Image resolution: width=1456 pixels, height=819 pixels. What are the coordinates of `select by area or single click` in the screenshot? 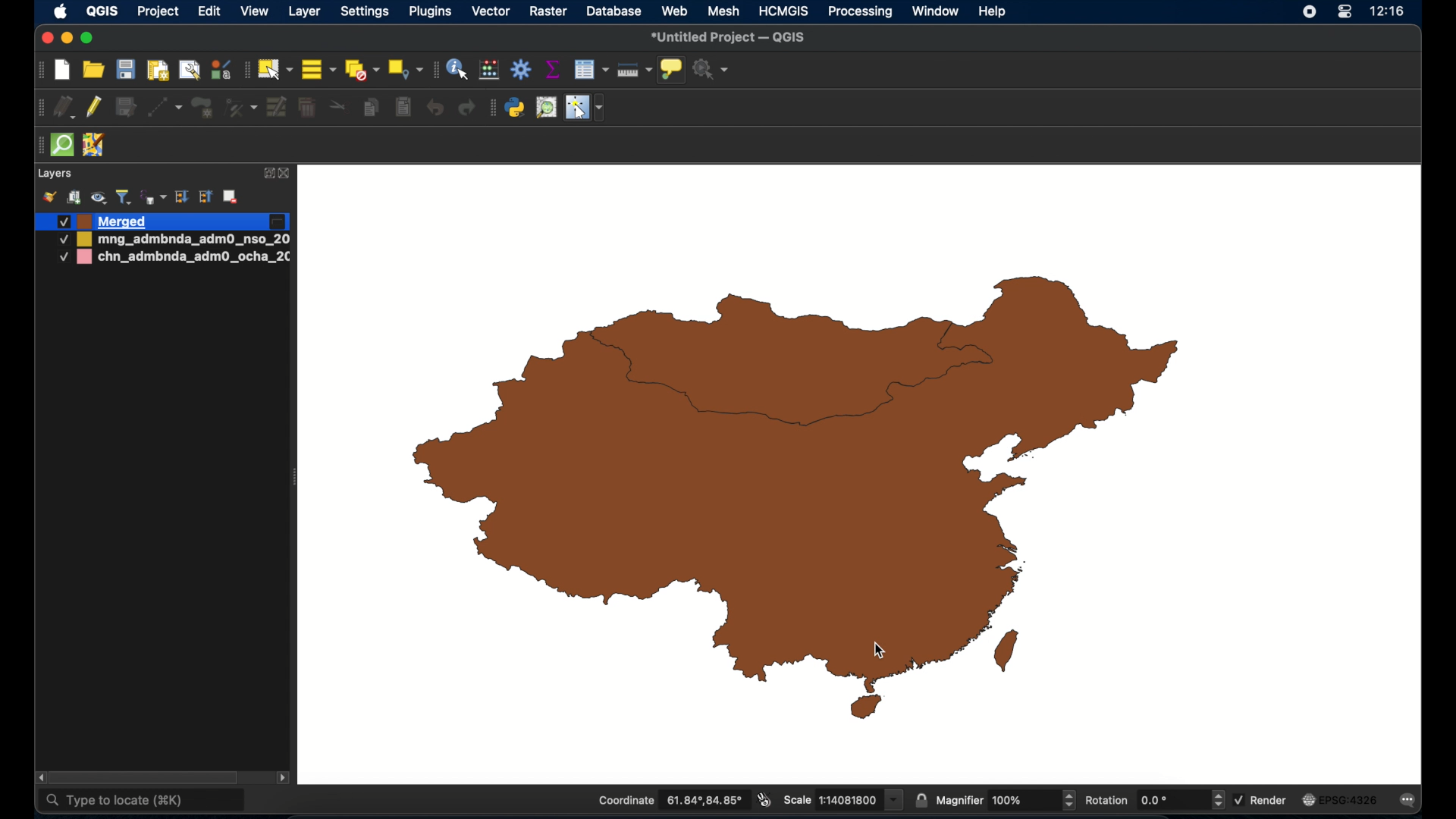 It's located at (277, 67).